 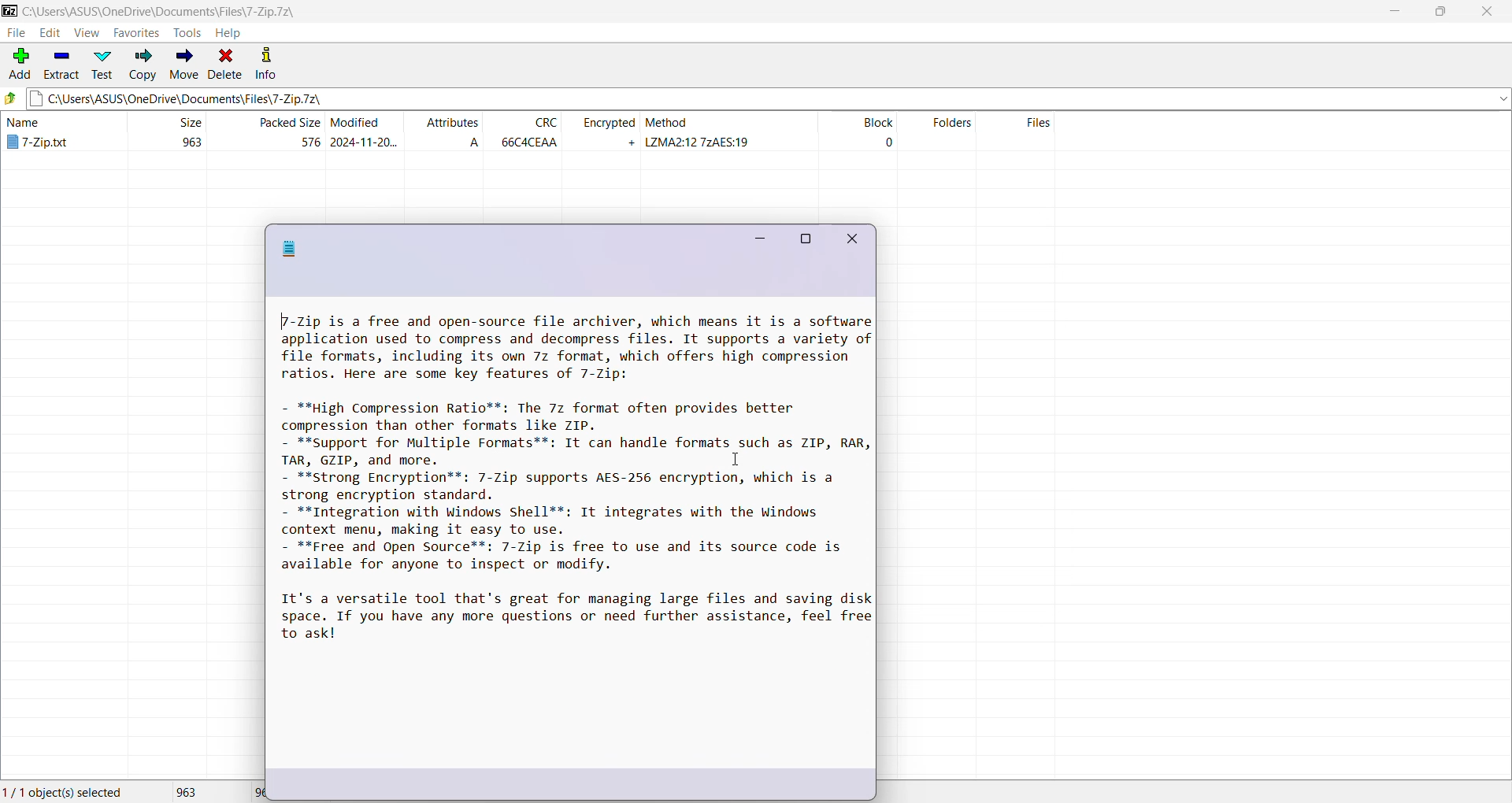 What do you see at coordinates (266, 61) in the screenshot?
I see `Info` at bounding box center [266, 61].